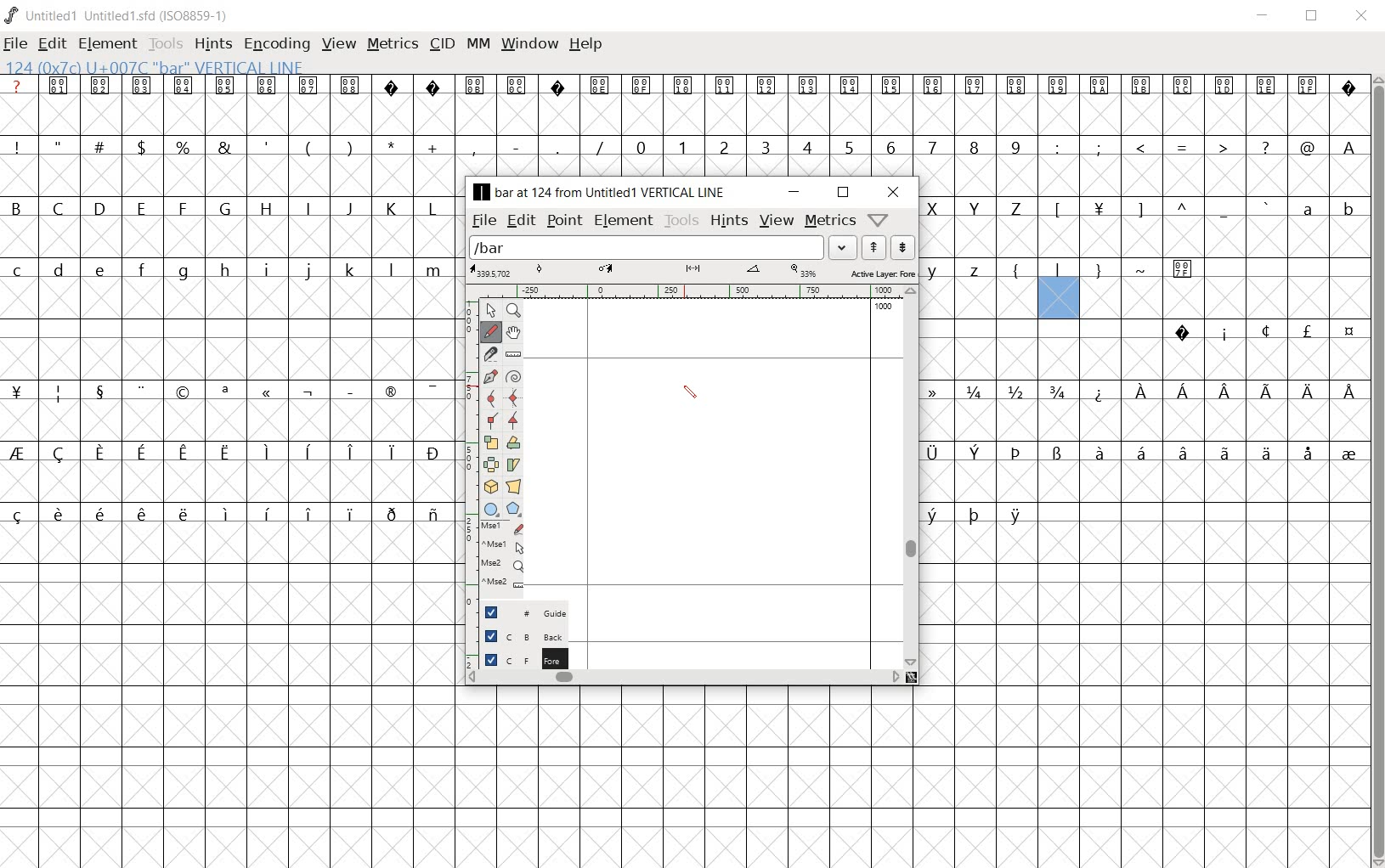  What do you see at coordinates (685, 146) in the screenshot?
I see `numbers and symbols` at bounding box center [685, 146].